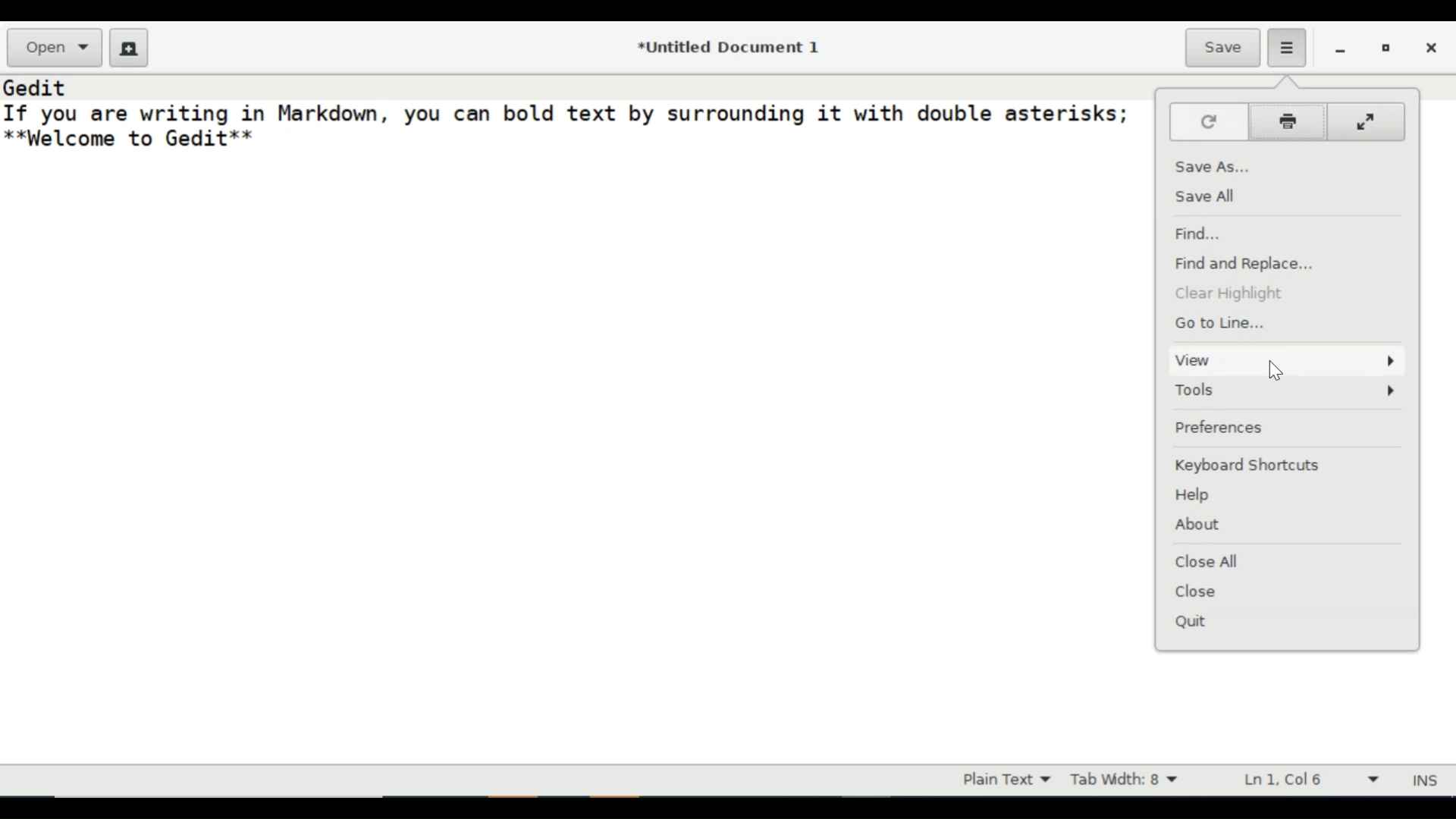 The height and width of the screenshot is (819, 1456). What do you see at coordinates (1009, 778) in the screenshot?
I see `Highlight mode dropdown menu` at bounding box center [1009, 778].